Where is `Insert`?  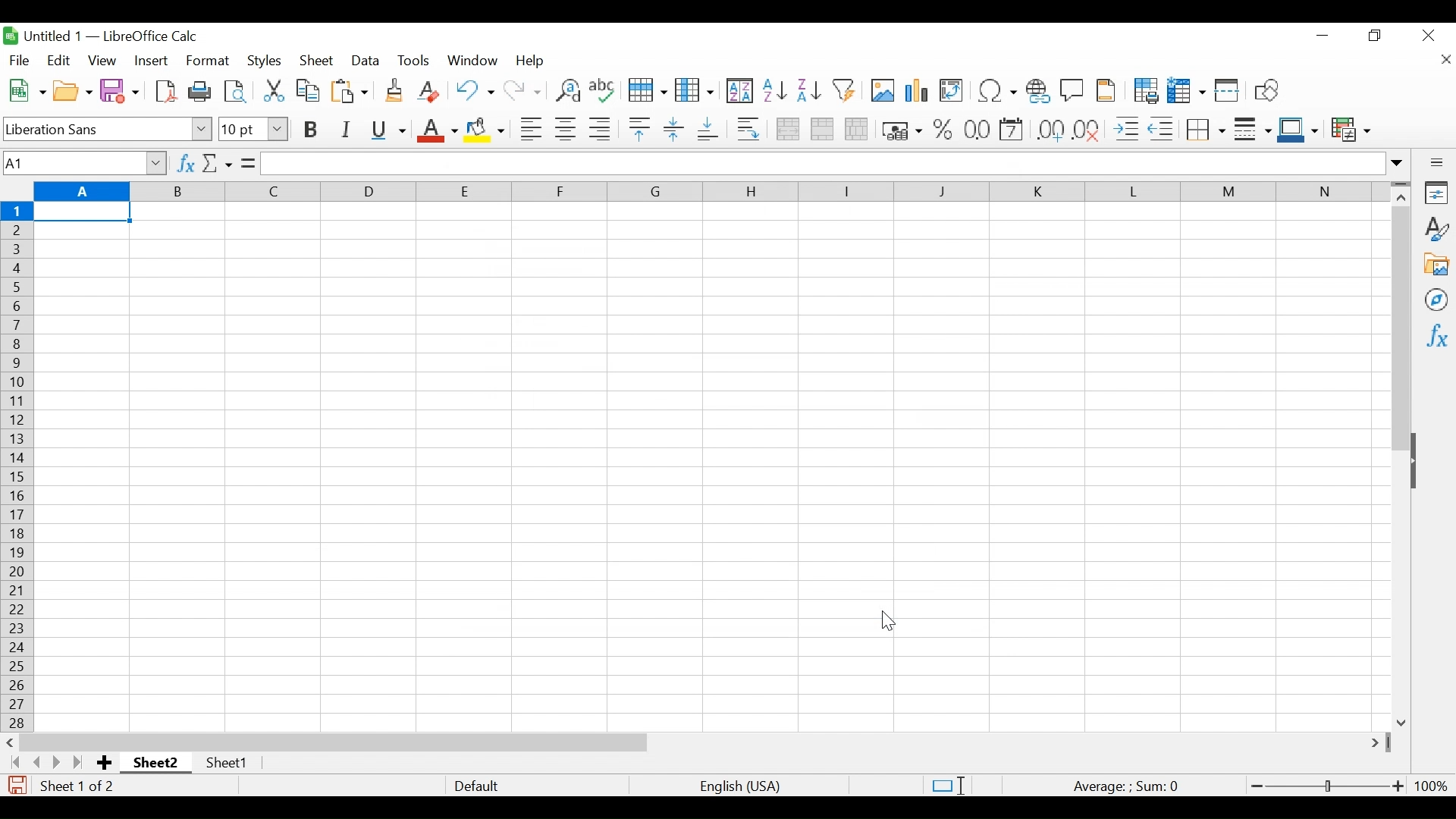 Insert is located at coordinates (152, 60).